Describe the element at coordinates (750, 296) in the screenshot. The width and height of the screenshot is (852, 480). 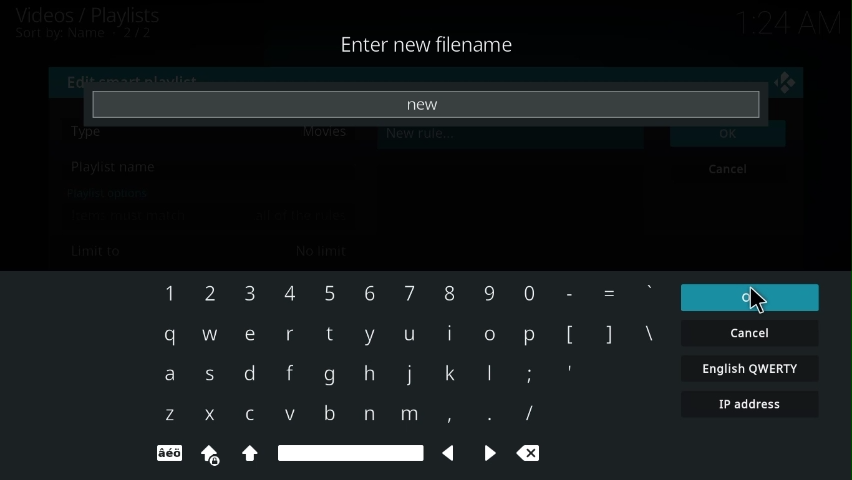
I see `ok` at that location.